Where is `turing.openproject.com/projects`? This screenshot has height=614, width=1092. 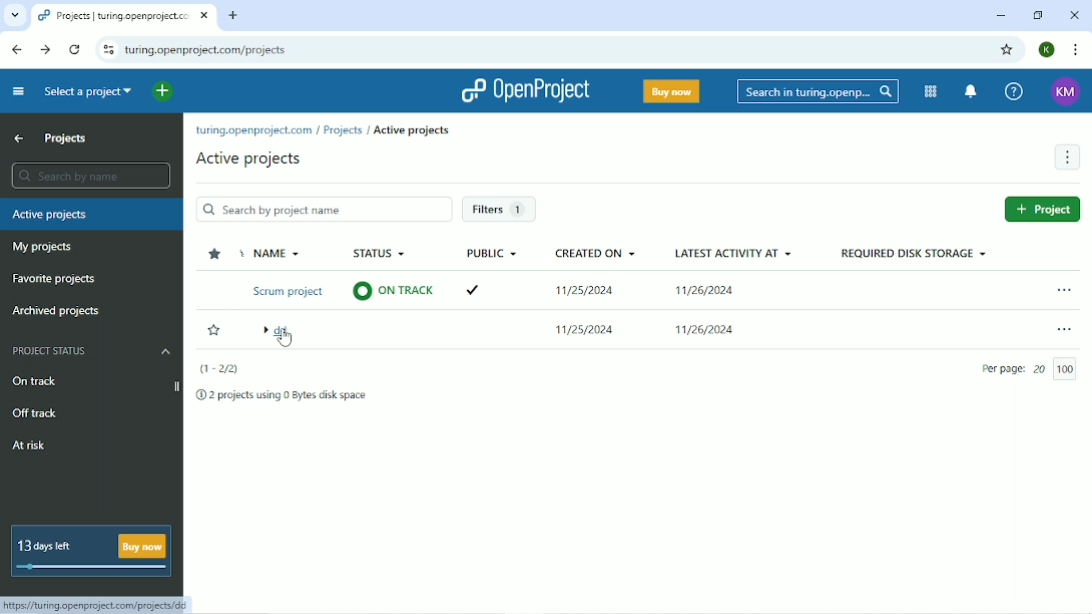 turing.openproject.com/projects is located at coordinates (208, 49).